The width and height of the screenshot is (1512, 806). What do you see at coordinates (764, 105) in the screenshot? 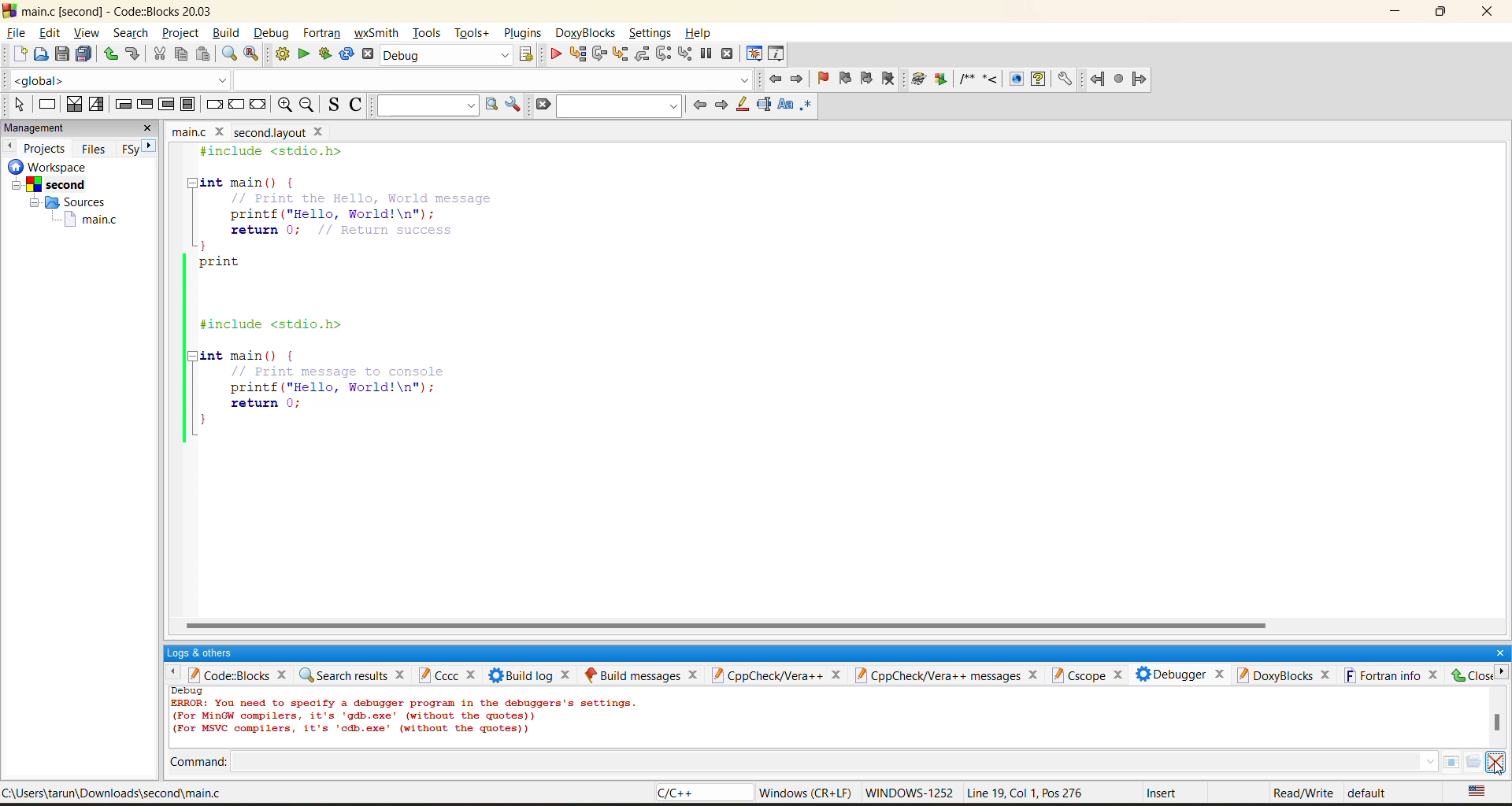
I see `selected text` at bounding box center [764, 105].